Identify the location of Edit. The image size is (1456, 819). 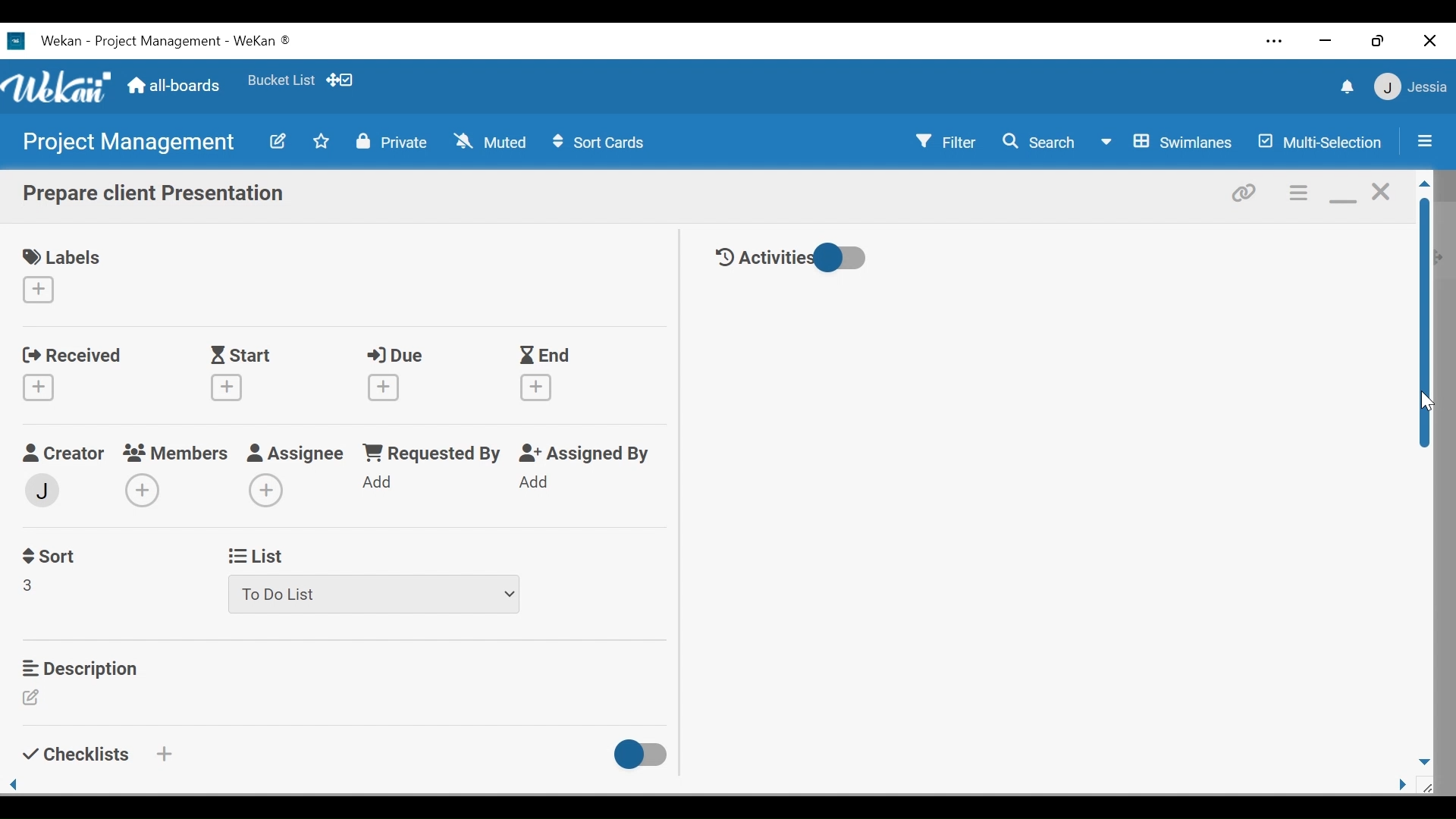
(280, 143).